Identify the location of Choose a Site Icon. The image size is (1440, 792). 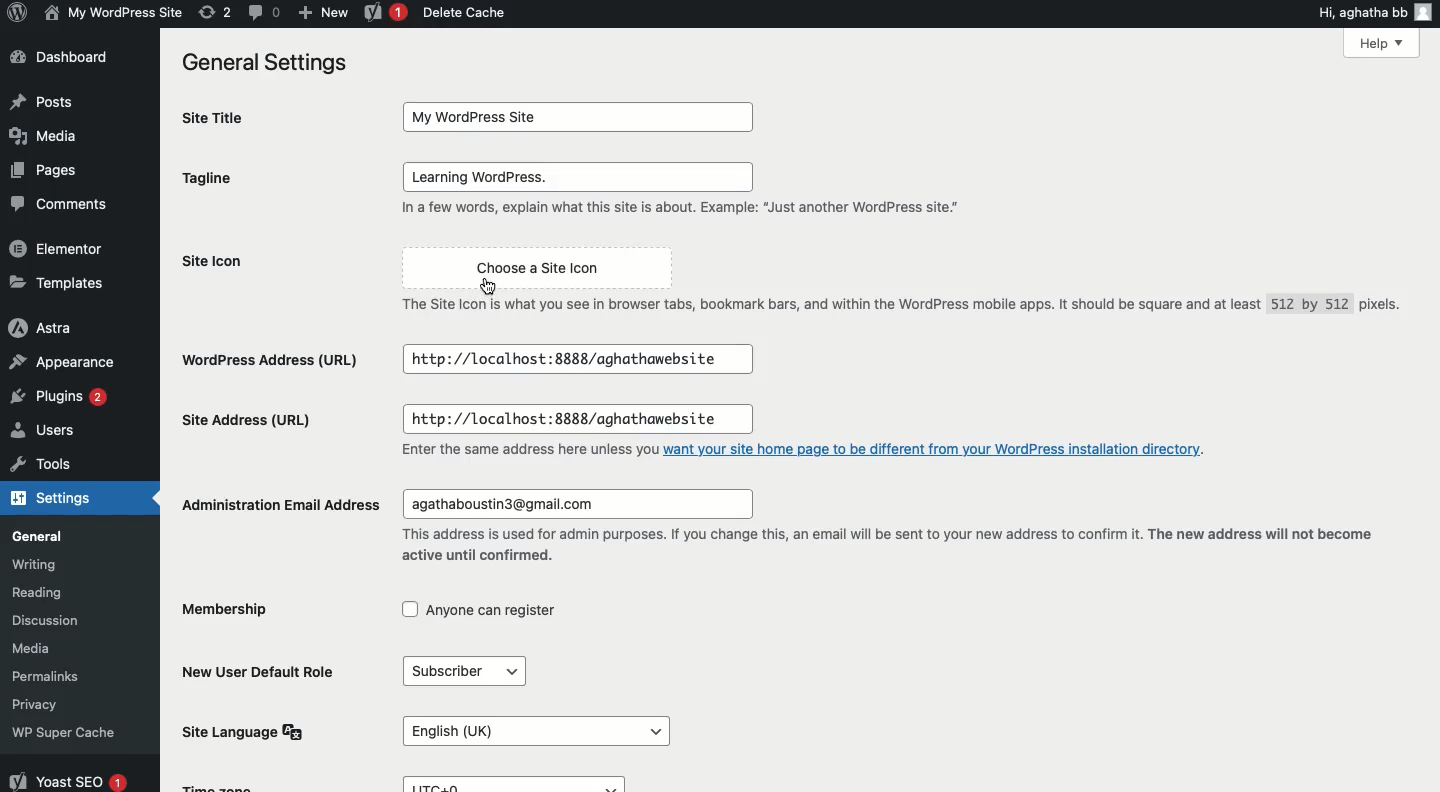
(533, 262).